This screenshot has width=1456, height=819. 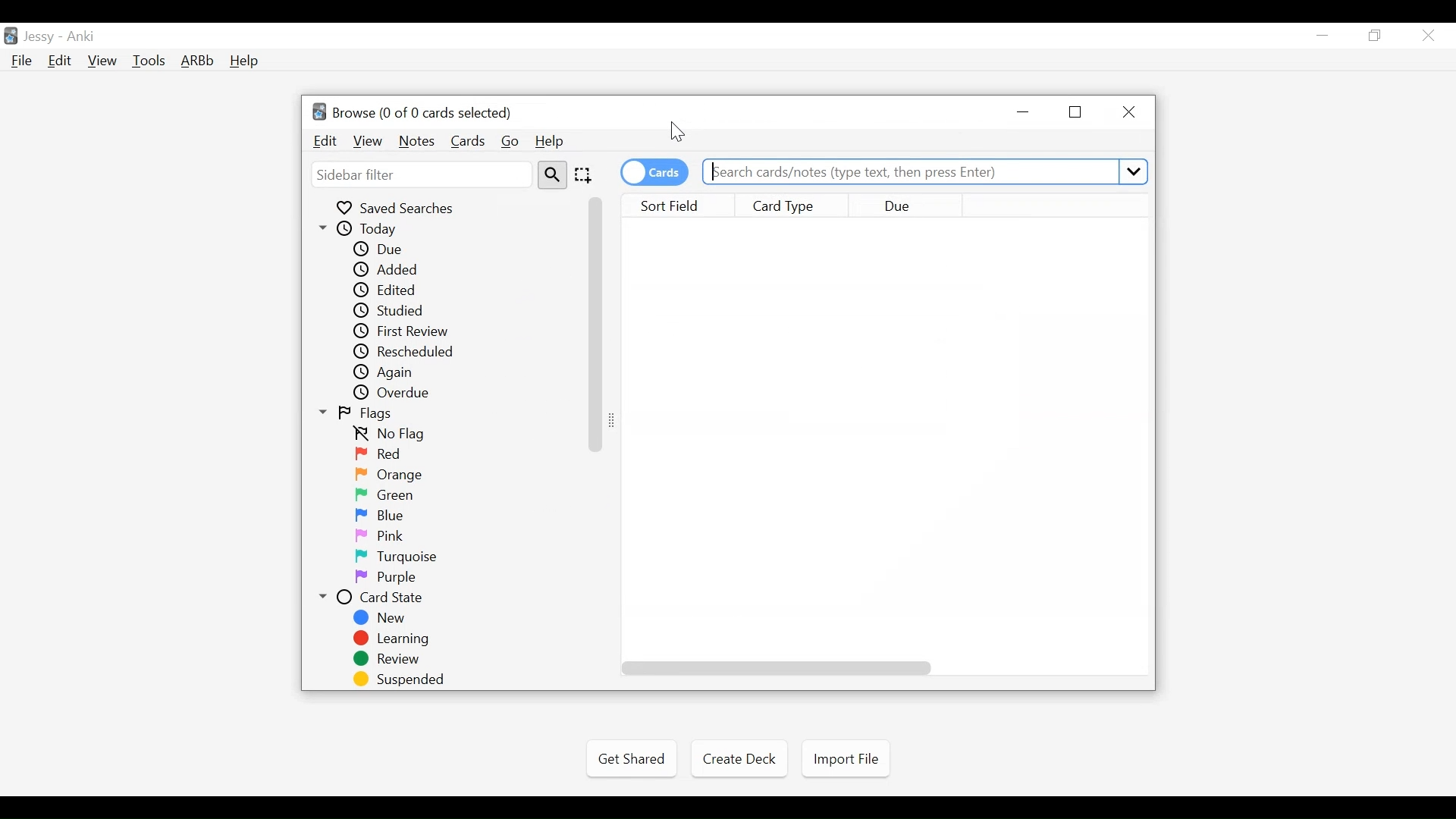 What do you see at coordinates (632, 758) in the screenshot?
I see `Get Shared` at bounding box center [632, 758].